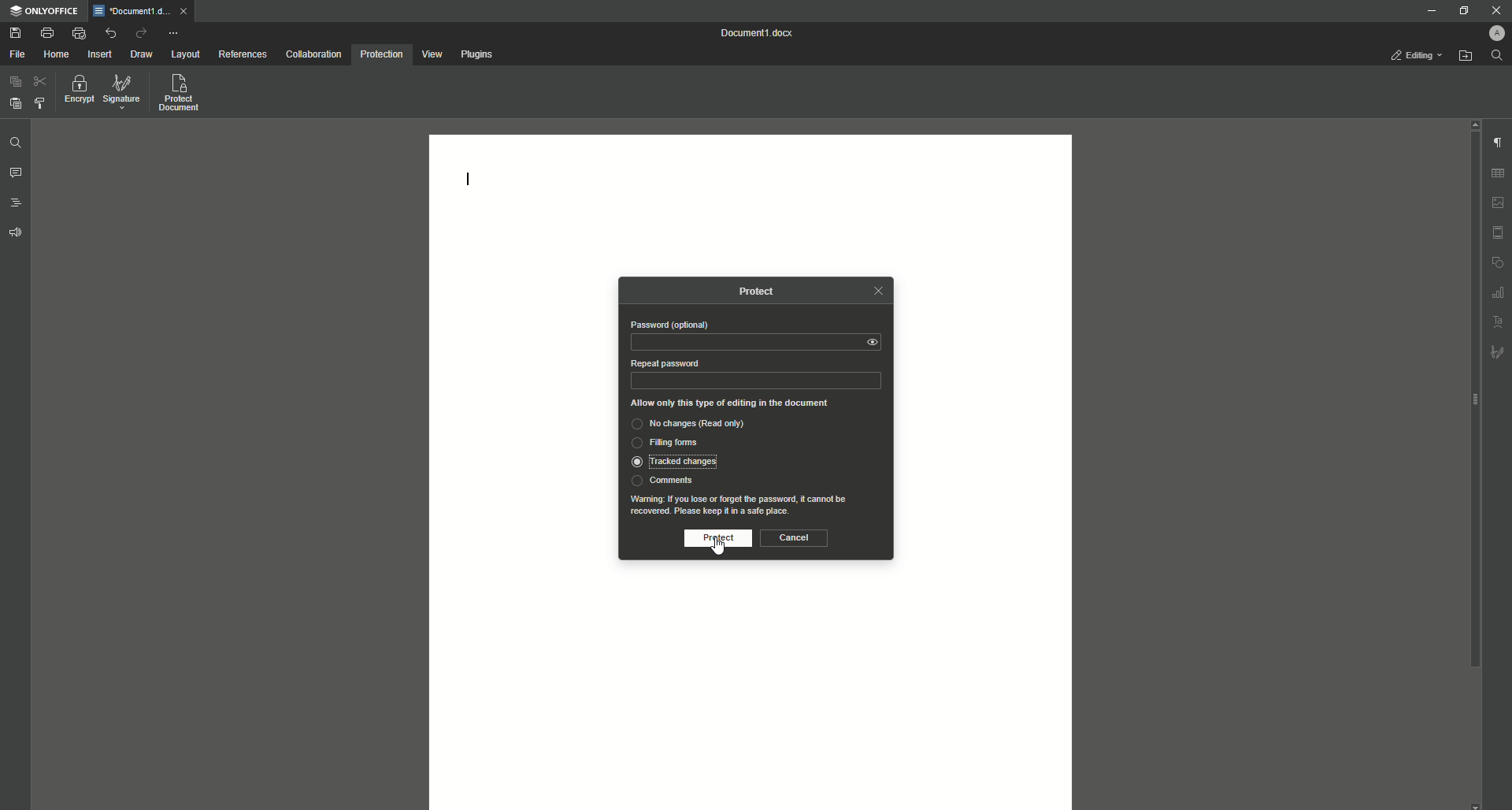  What do you see at coordinates (695, 422) in the screenshot?
I see `No changes` at bounding box center [695, 422].